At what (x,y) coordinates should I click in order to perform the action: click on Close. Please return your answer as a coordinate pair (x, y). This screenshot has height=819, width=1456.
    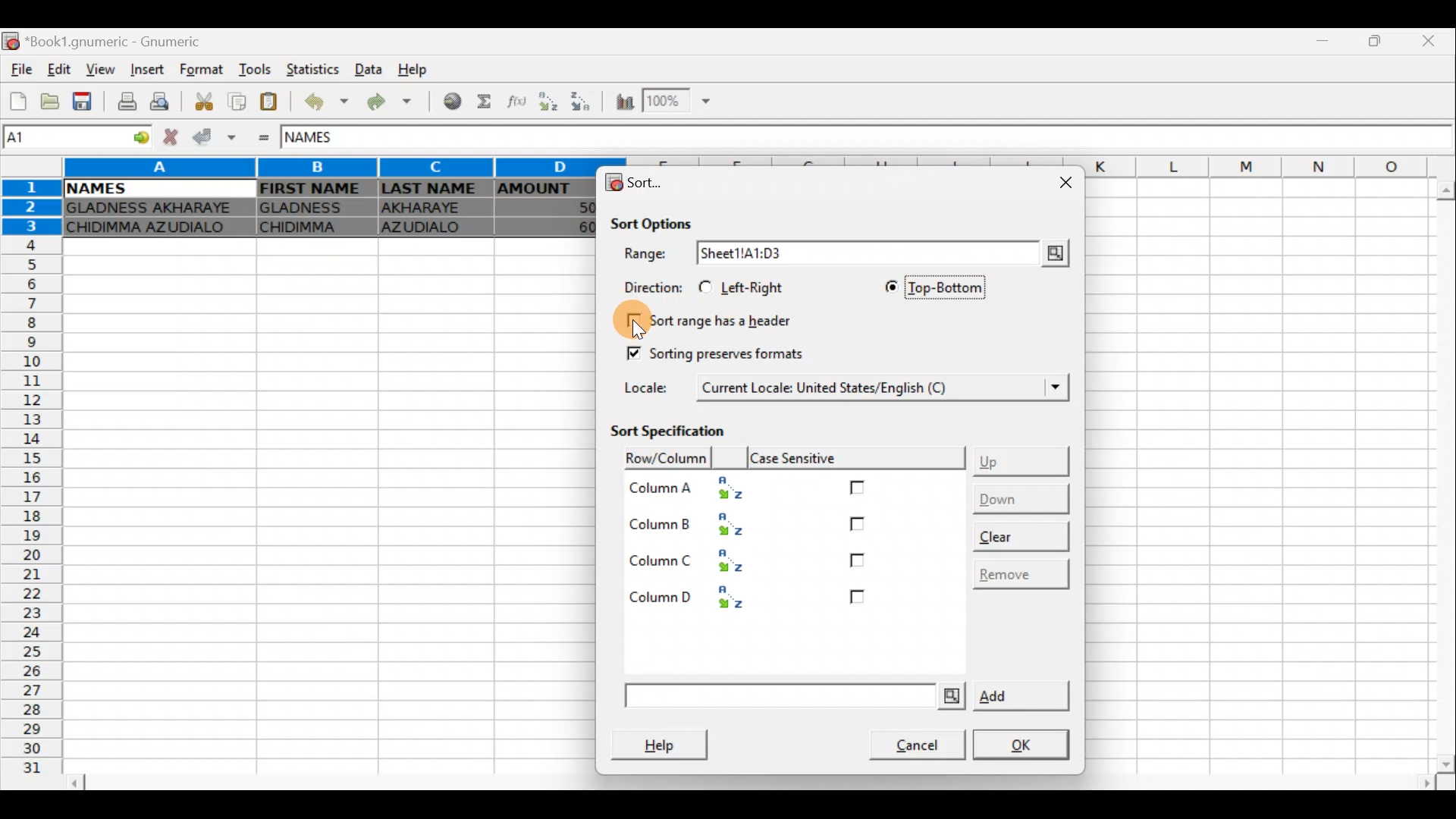
    Looking at the image, I should click on (1062, 183).